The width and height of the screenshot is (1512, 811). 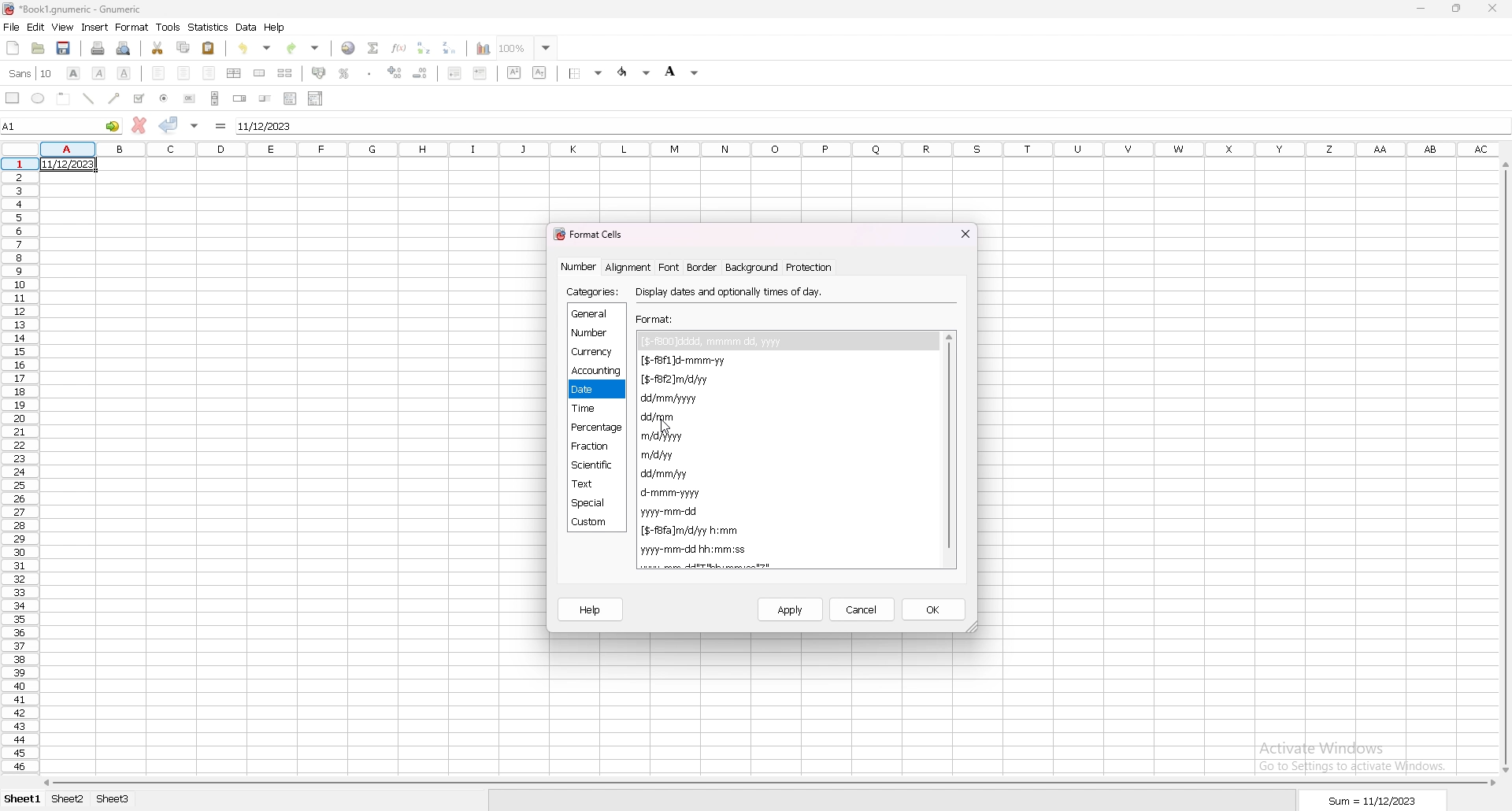 What do you see at coordinates (63, 48) in the screenshot?
I see `save` at bounding box center [63, 48].